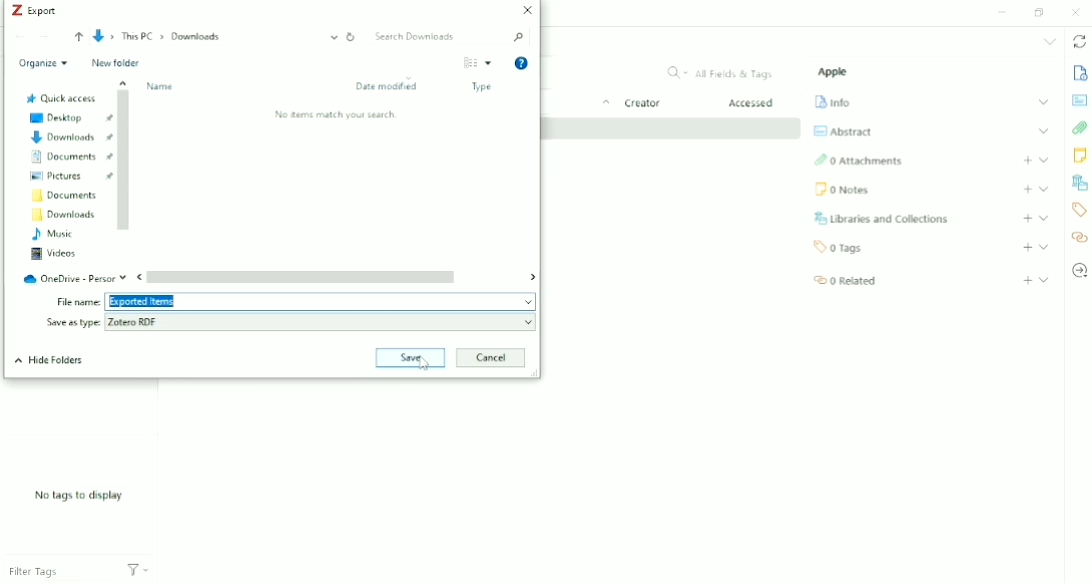 The height and width of the screenshot is (584, 1092). Describe the element at coordinates (216, 37) in the screenshot. I see `This PC > Downloads` at that location.